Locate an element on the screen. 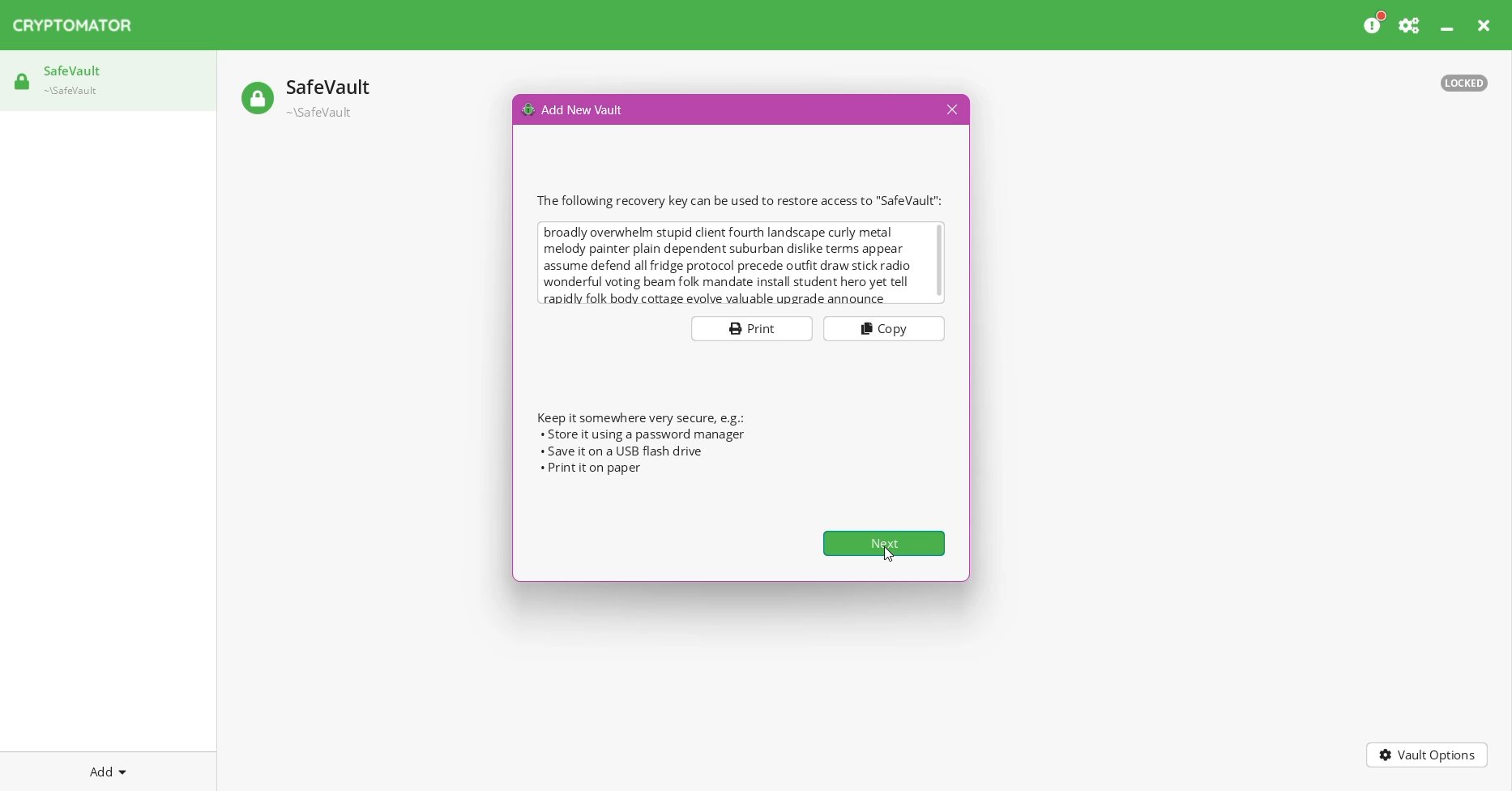 The image size is (1512, 791). Print it on paper is located at coordinates (590, 468).